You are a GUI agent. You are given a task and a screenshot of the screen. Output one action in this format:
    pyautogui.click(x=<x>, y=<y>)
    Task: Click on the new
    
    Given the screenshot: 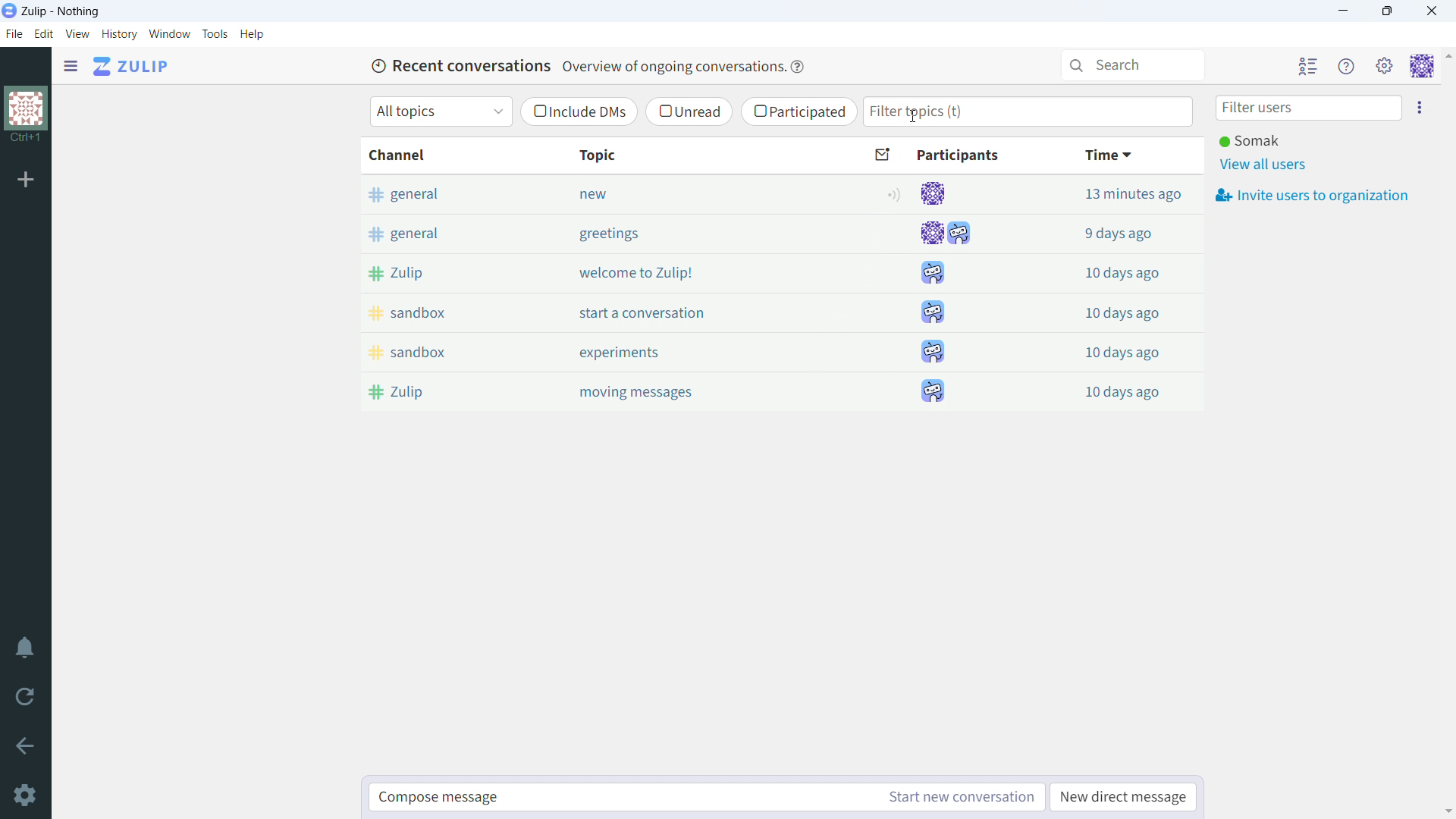 What is the action you would take?
    pyautogui.click(x=693, y=193)
    